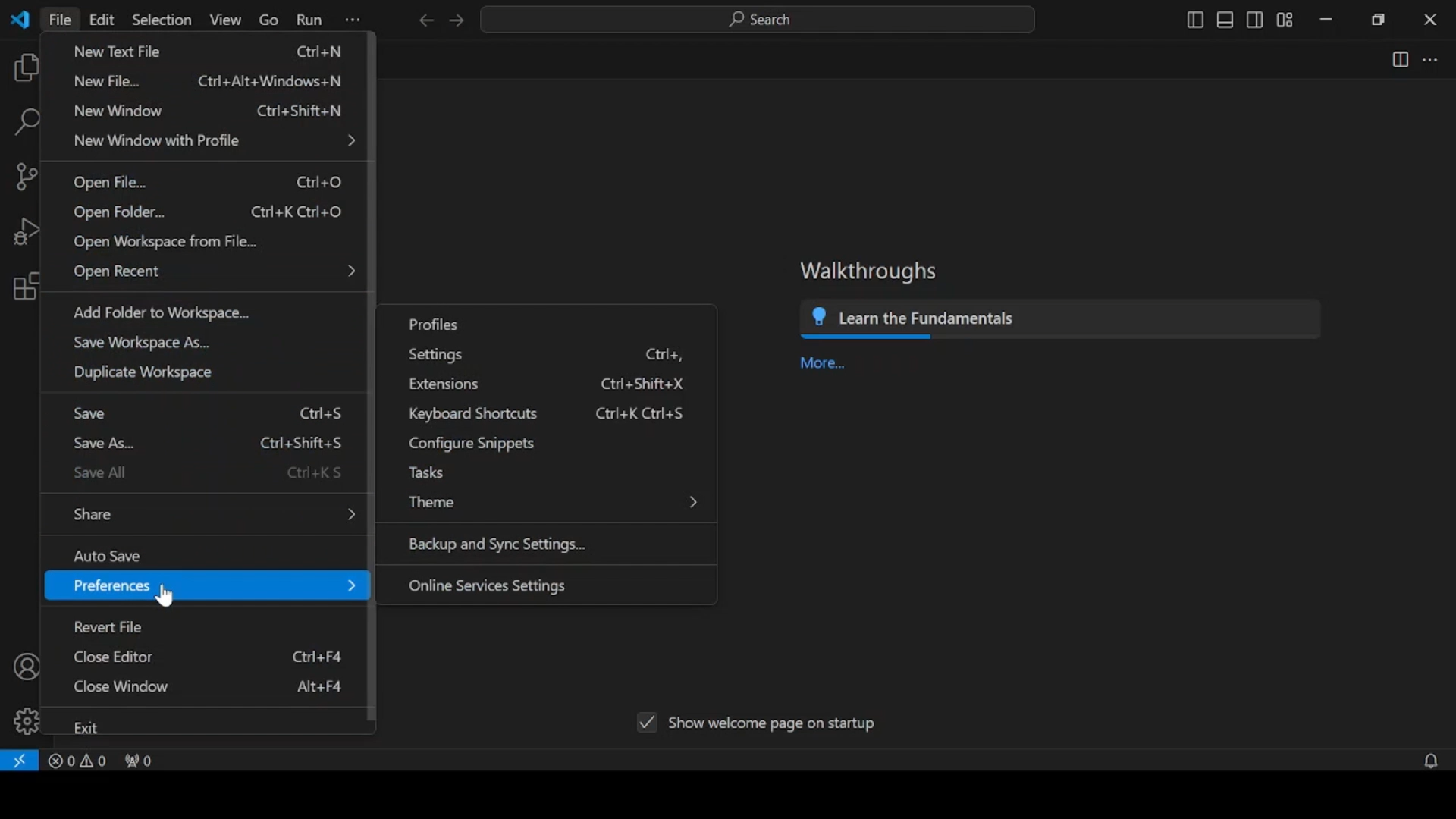  What do you see at coordinates (1285, 20) in the screenshot?
I see `customize layout` at bounding box center [1285, 20].